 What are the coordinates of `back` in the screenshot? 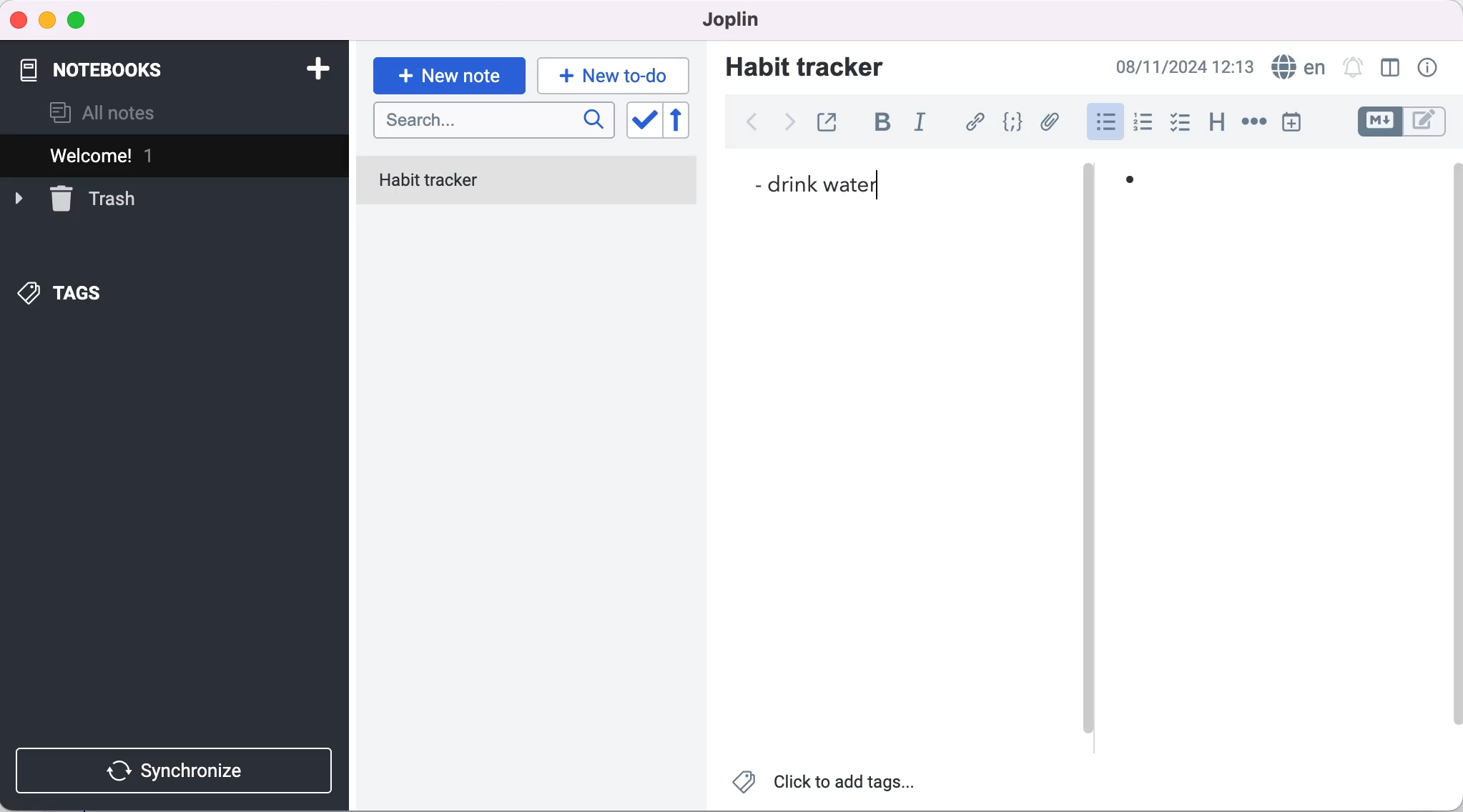 It's located at (751, 122).